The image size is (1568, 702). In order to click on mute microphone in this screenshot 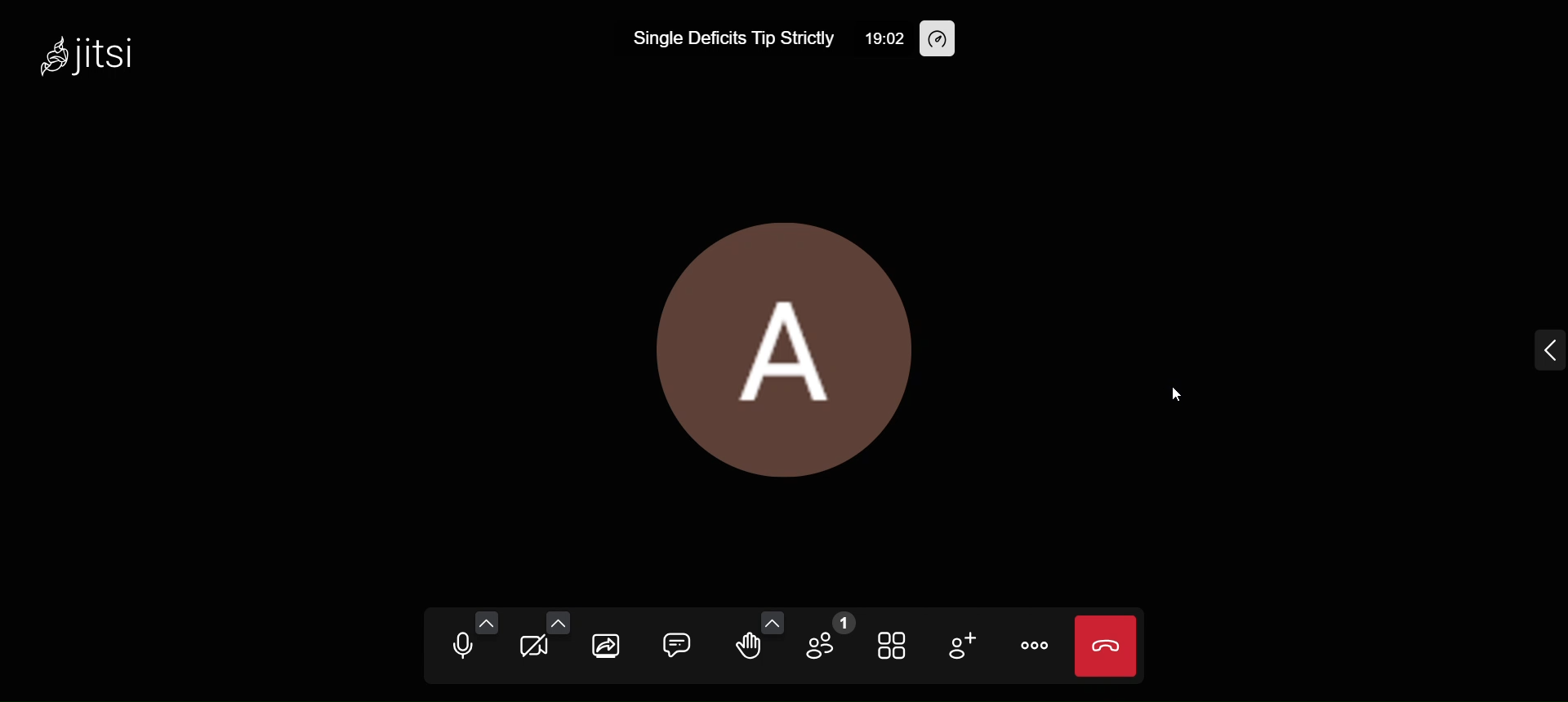, I will do `click(461, 646)`.